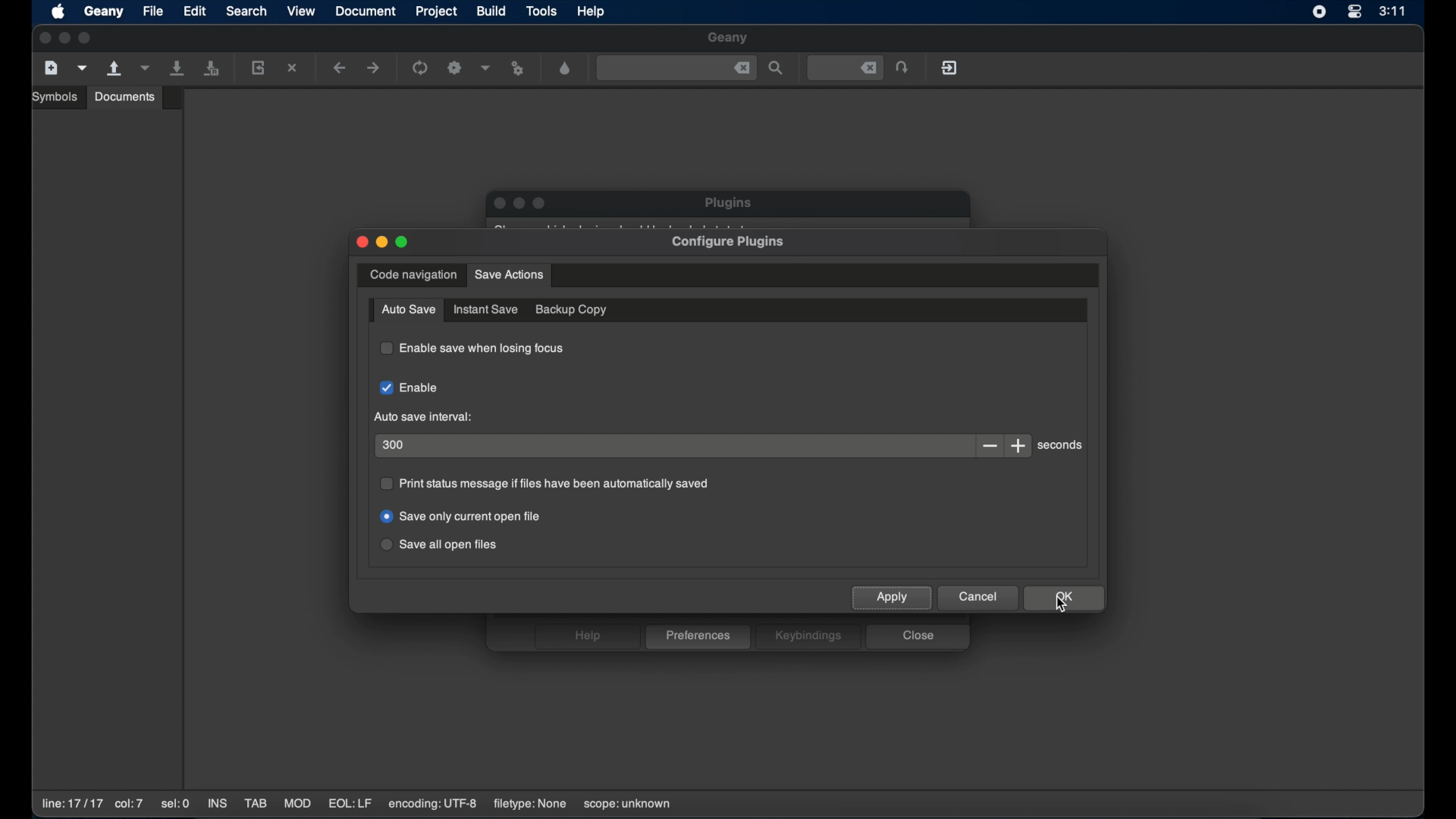 The height and width of the screenshot is (819, 1456). Describe the element at coordinates (586, 636) in the screenshot. I see `help` at that location.